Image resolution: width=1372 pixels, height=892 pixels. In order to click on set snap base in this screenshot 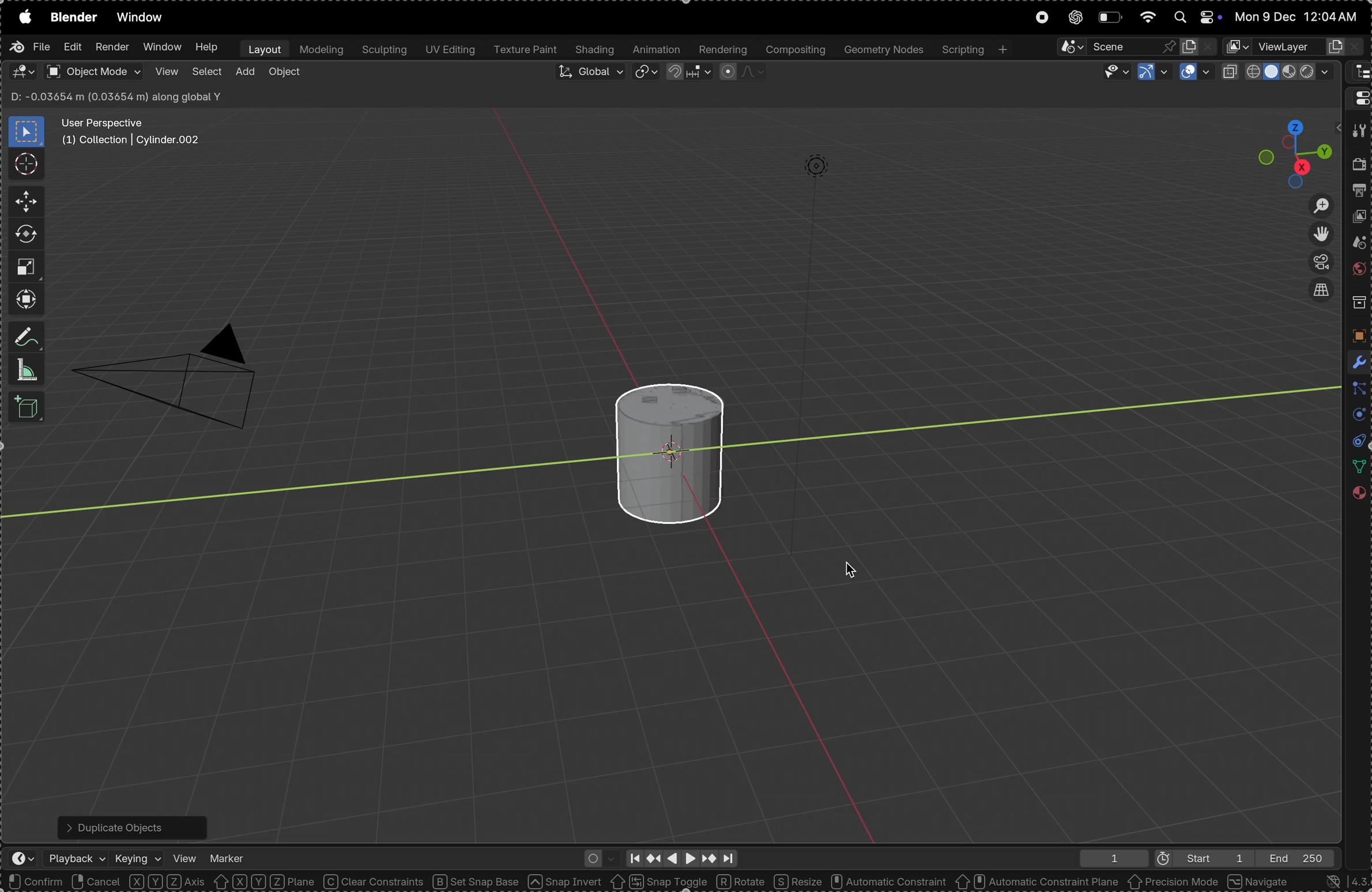, I will do `click(480, 882)`.